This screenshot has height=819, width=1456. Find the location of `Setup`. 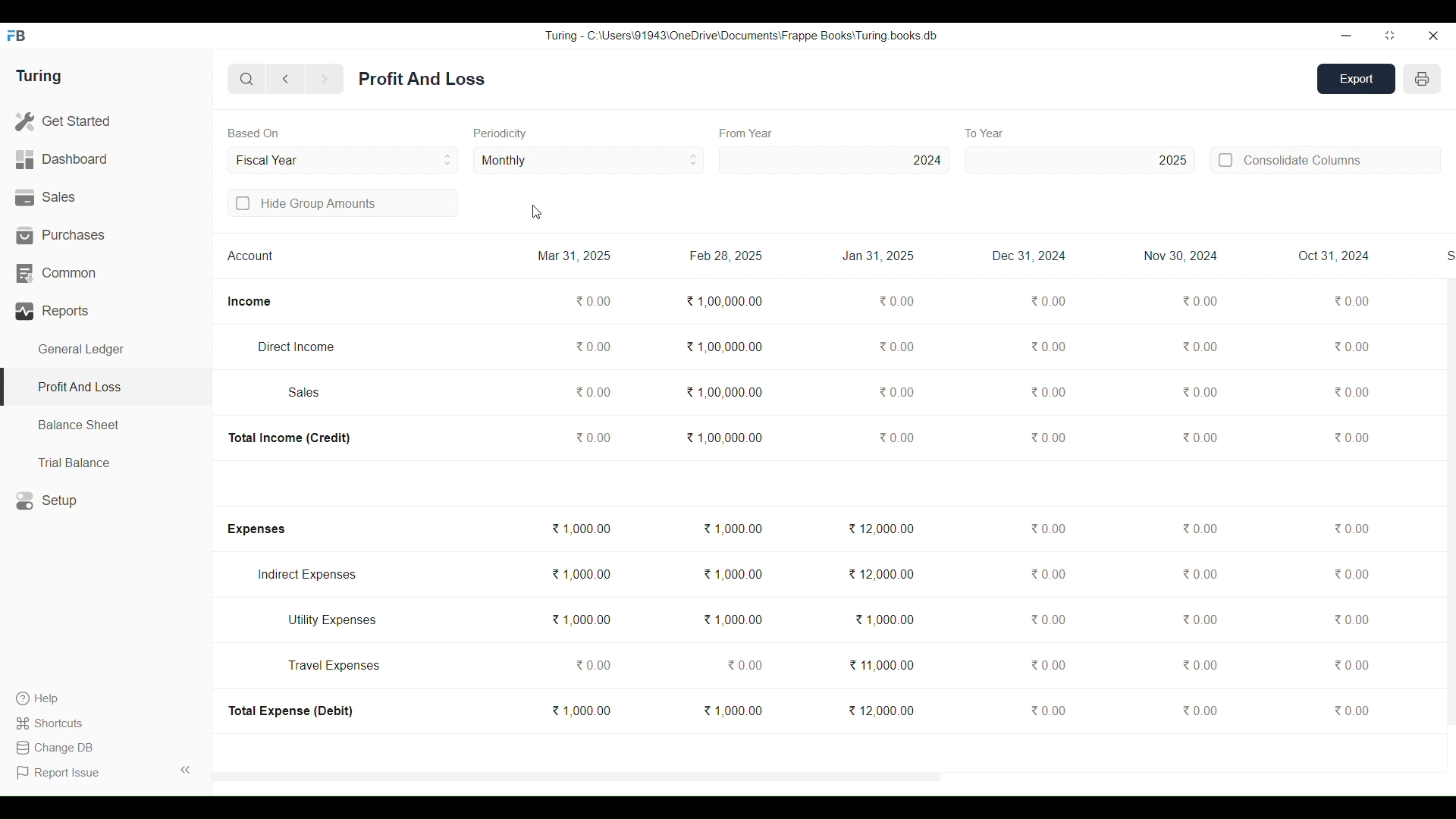

Setup is located at coordinates (106, 500).